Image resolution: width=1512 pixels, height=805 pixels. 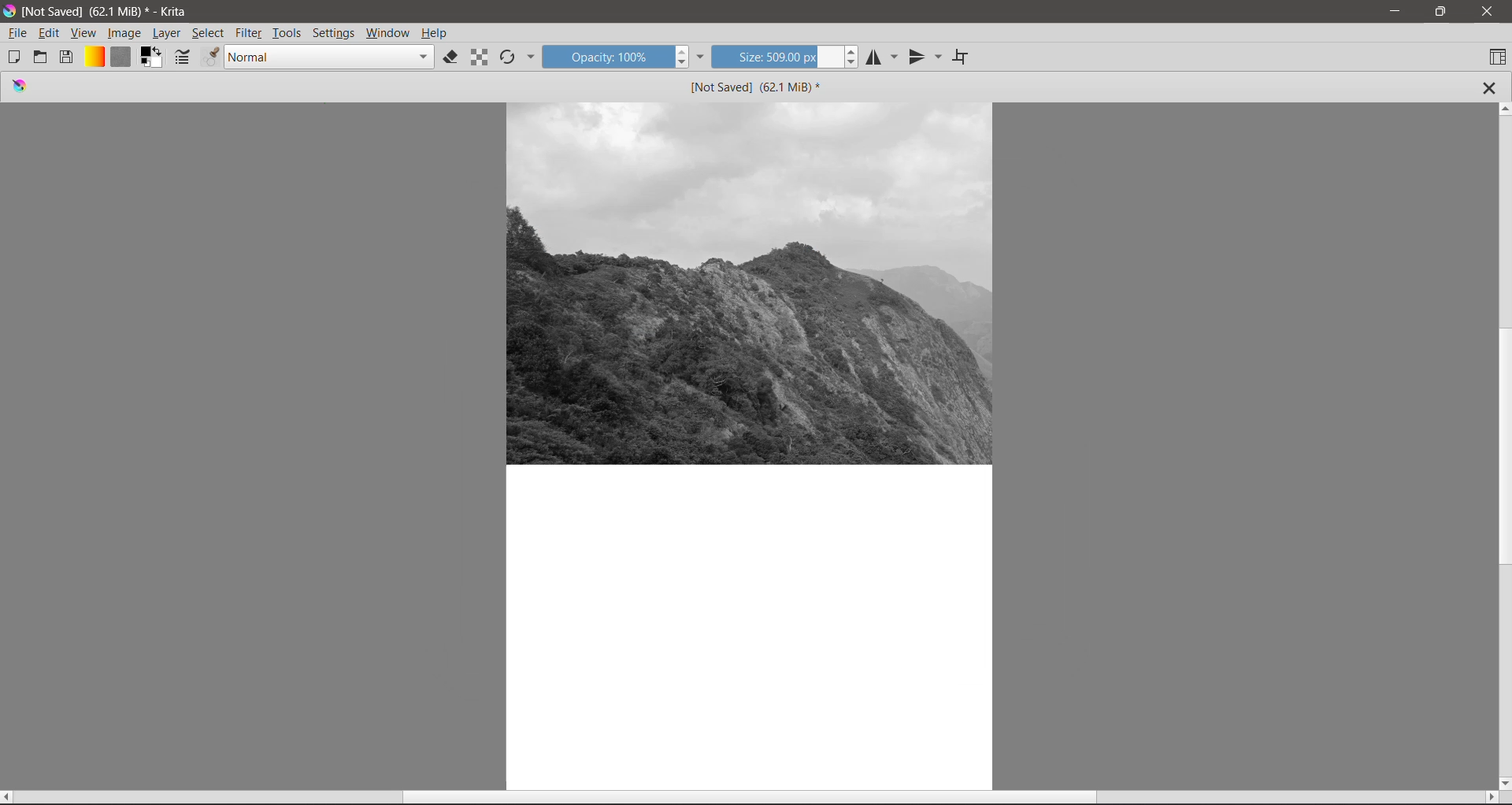 What do you see at coordinates (480, 57) in the screenshot?
I see `Preserve Alpha` at bounding box center [480, 57].